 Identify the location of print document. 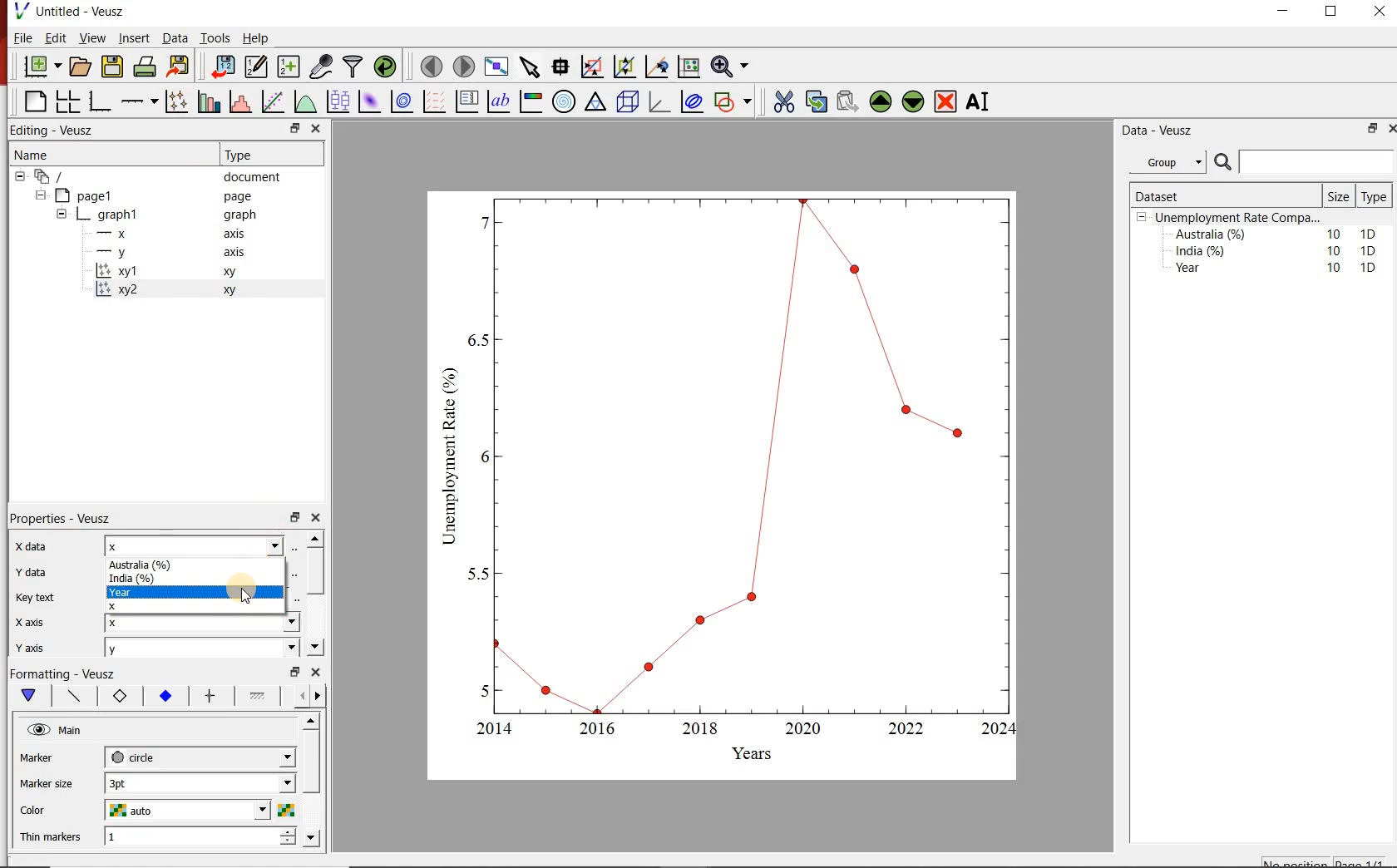
(145, 65).